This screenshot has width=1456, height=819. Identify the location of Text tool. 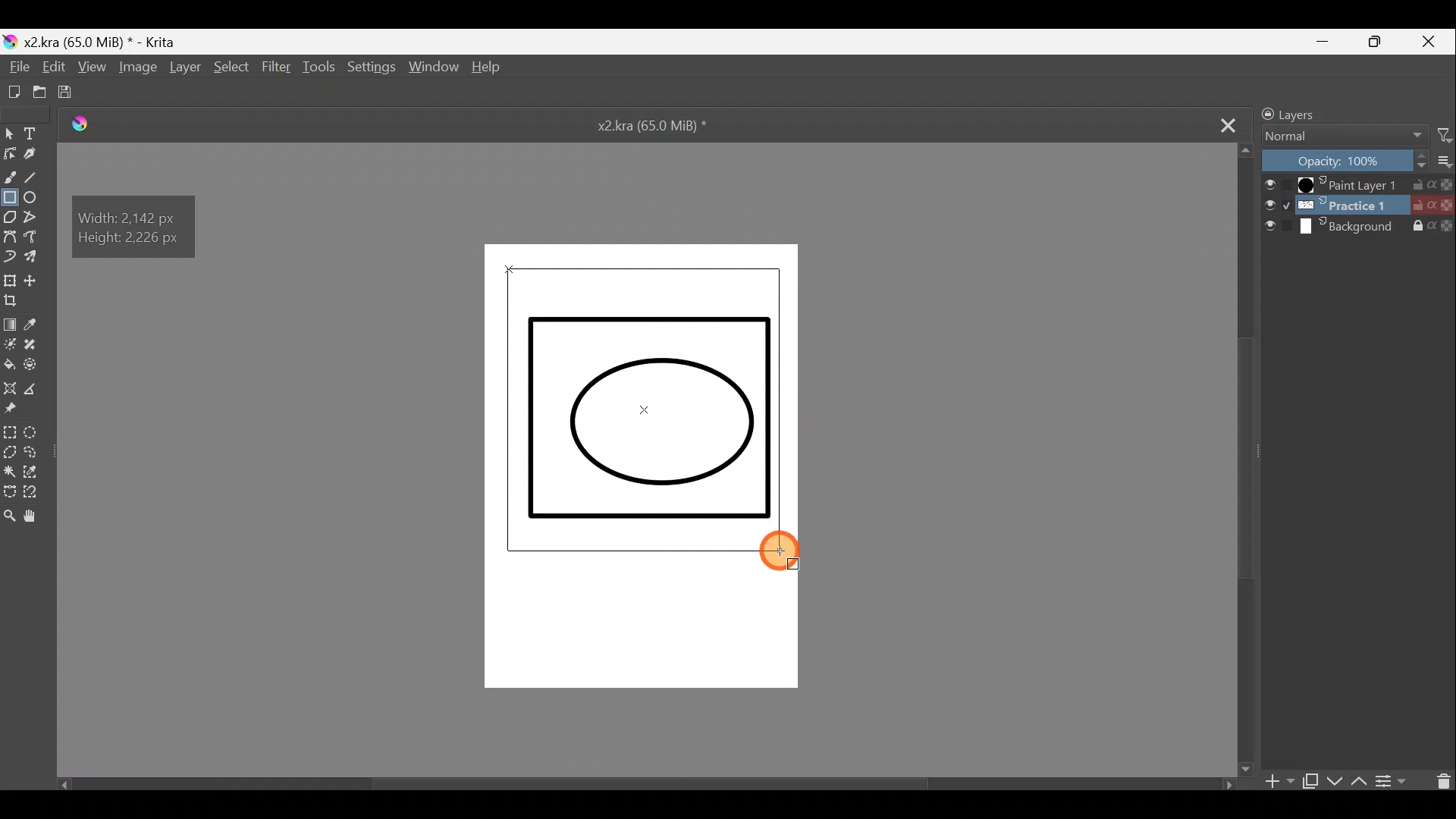
(30, 132).